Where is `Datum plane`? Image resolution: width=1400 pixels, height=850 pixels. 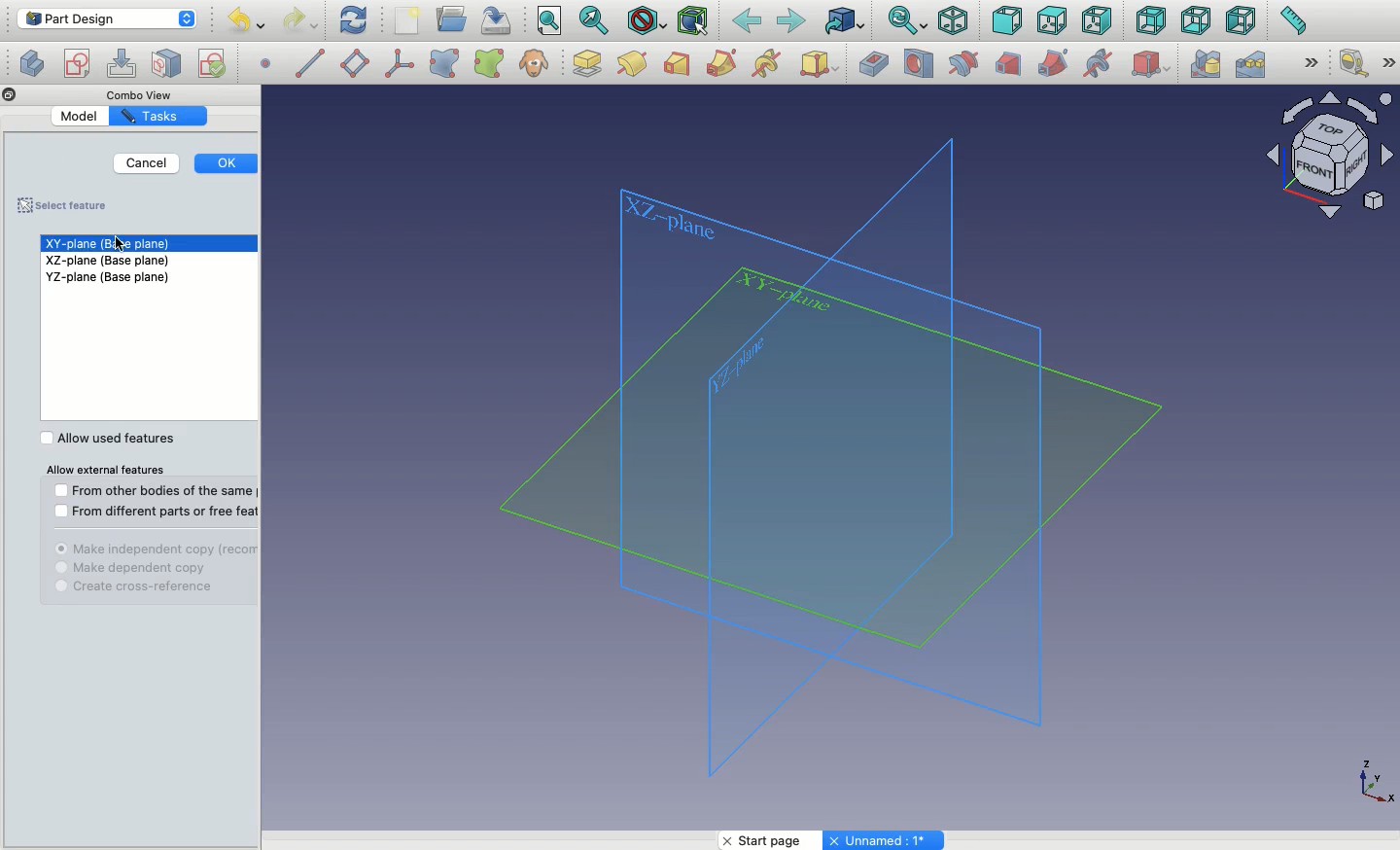 Datum plane is located at coordinates (357, 64).